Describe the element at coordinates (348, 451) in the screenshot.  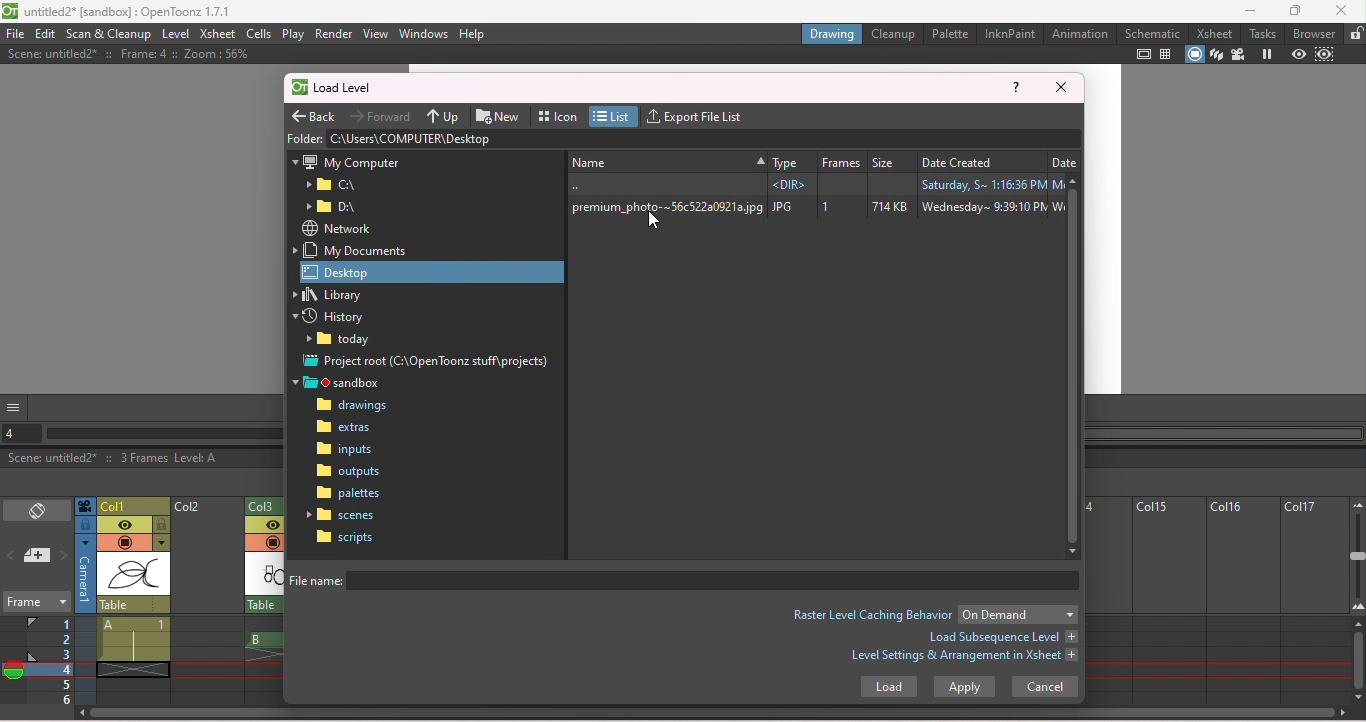
I see `Inputs` at that location.